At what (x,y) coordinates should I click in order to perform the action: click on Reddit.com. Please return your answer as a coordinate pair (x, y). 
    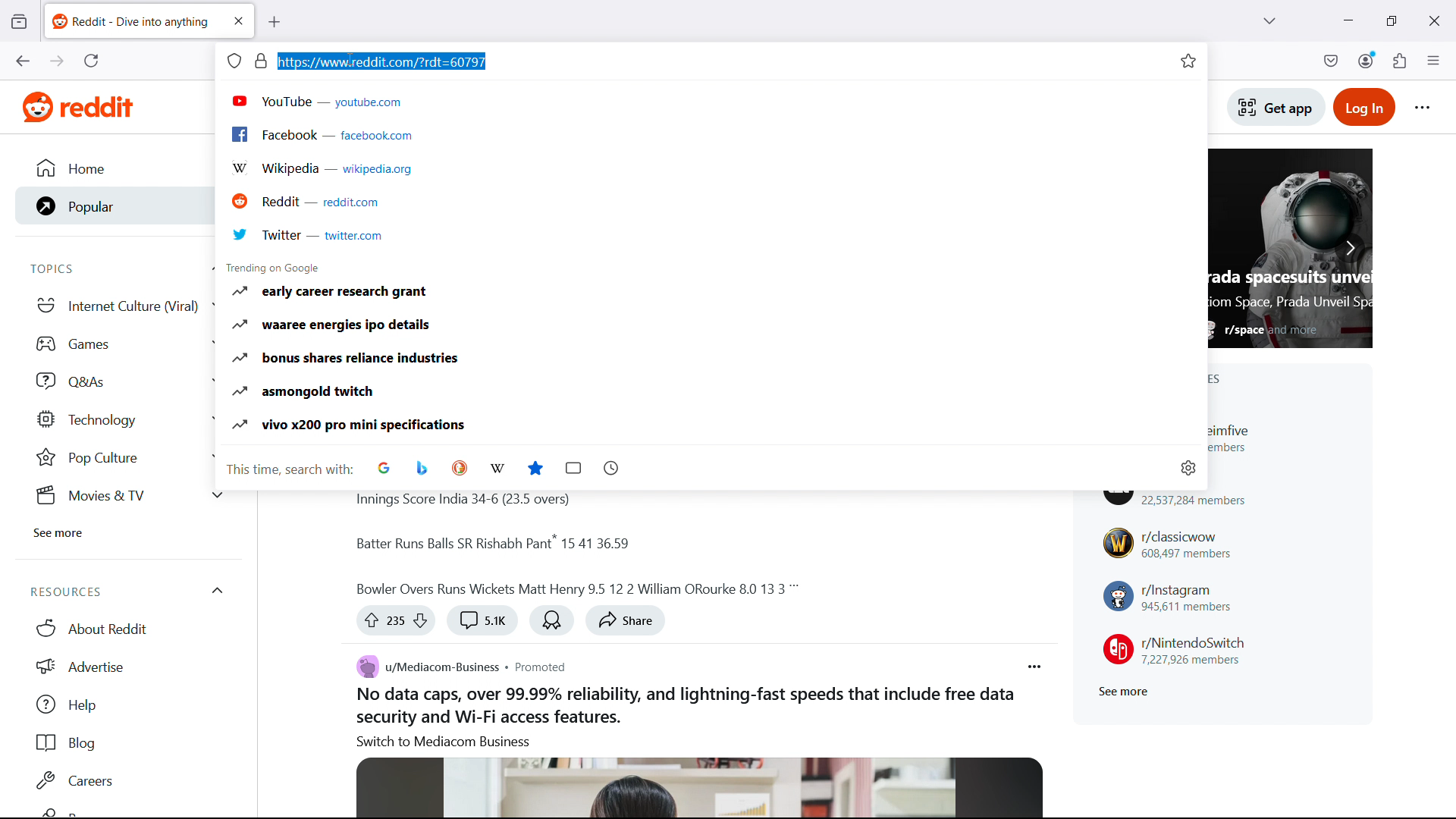
    Looking at the image, I should click on (711, 201).